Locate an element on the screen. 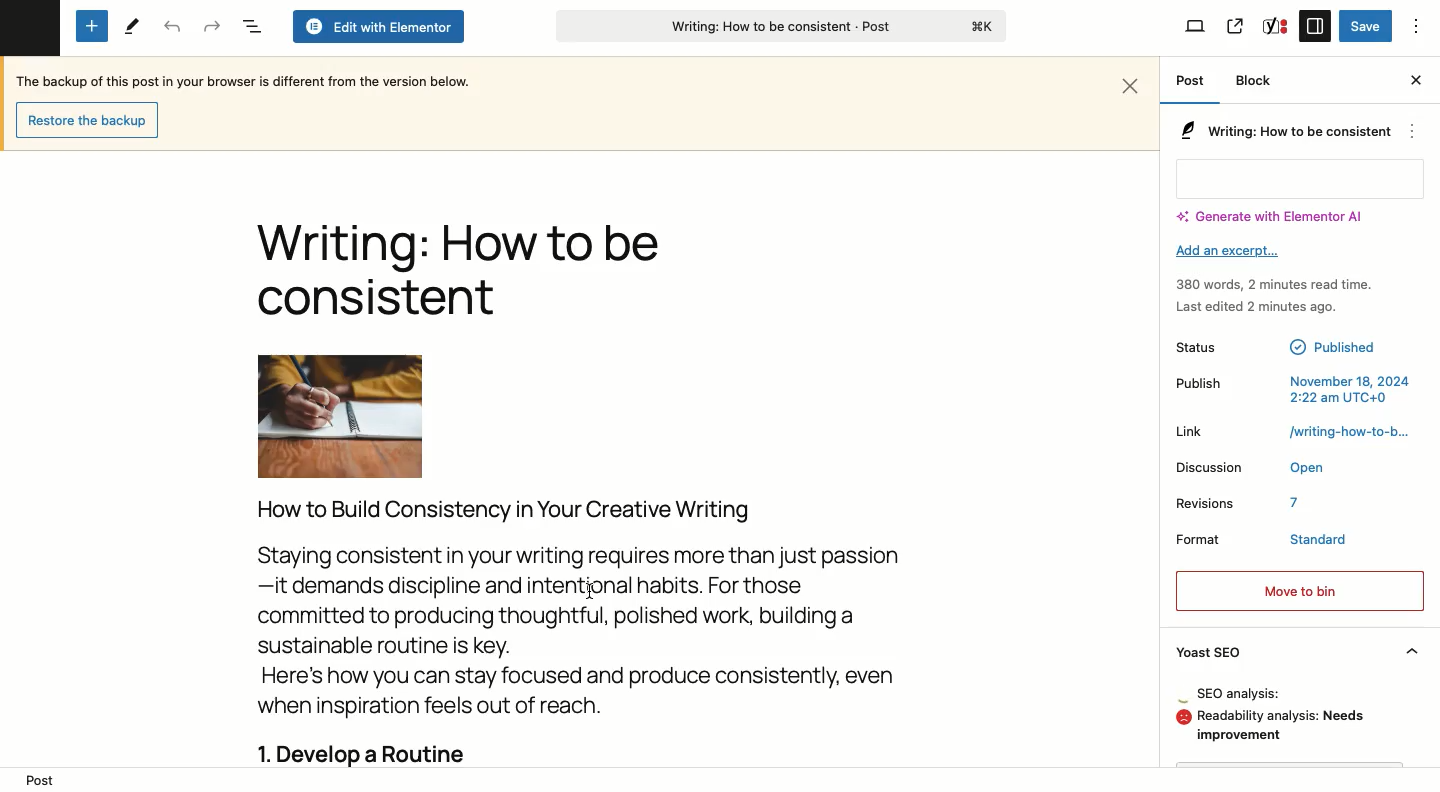  Move to bin is located at coordinates (1299, 591).